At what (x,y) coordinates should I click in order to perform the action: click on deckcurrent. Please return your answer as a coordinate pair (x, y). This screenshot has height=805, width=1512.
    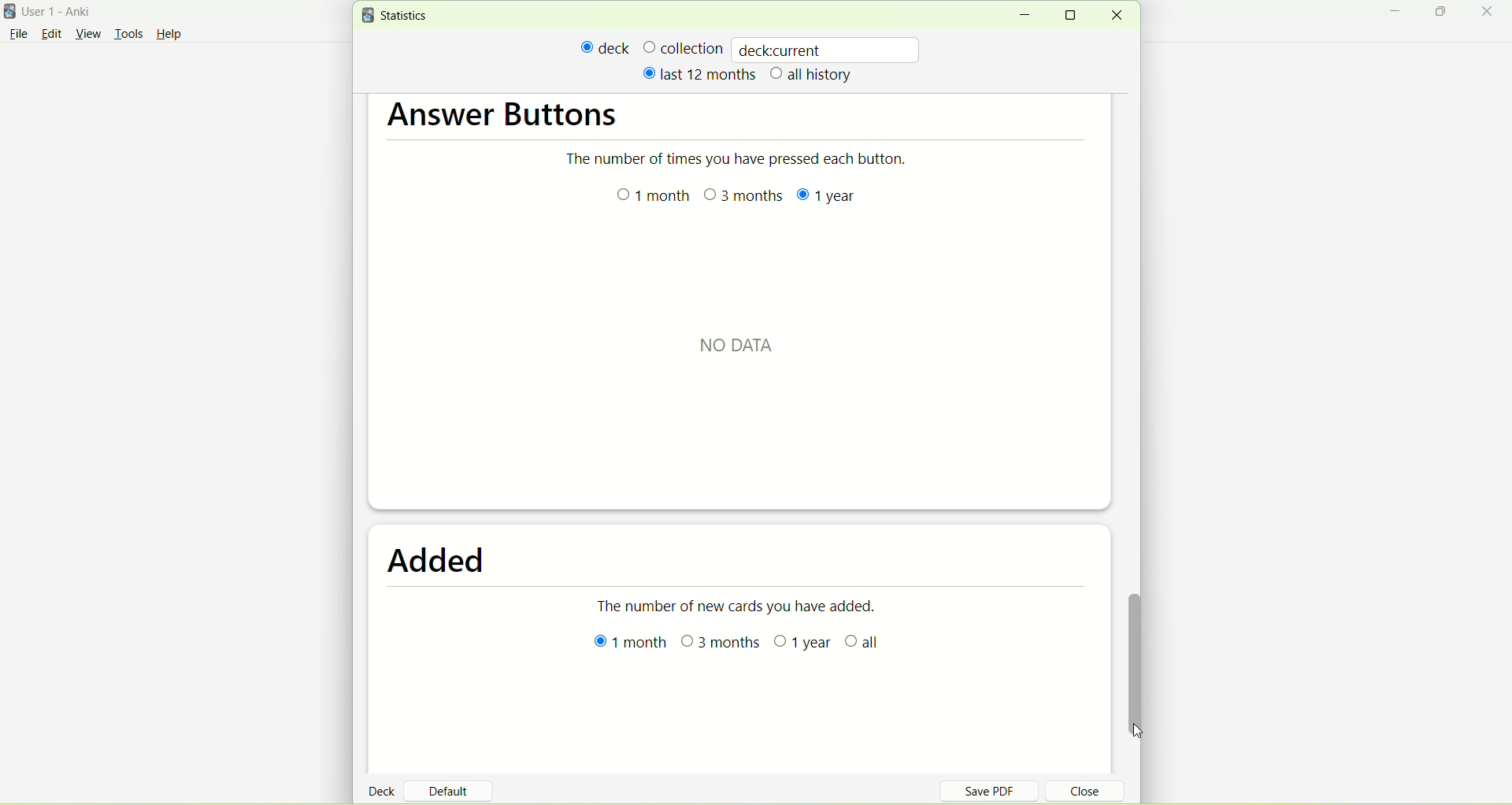
    Looking at the image, I should click on (828, 49).